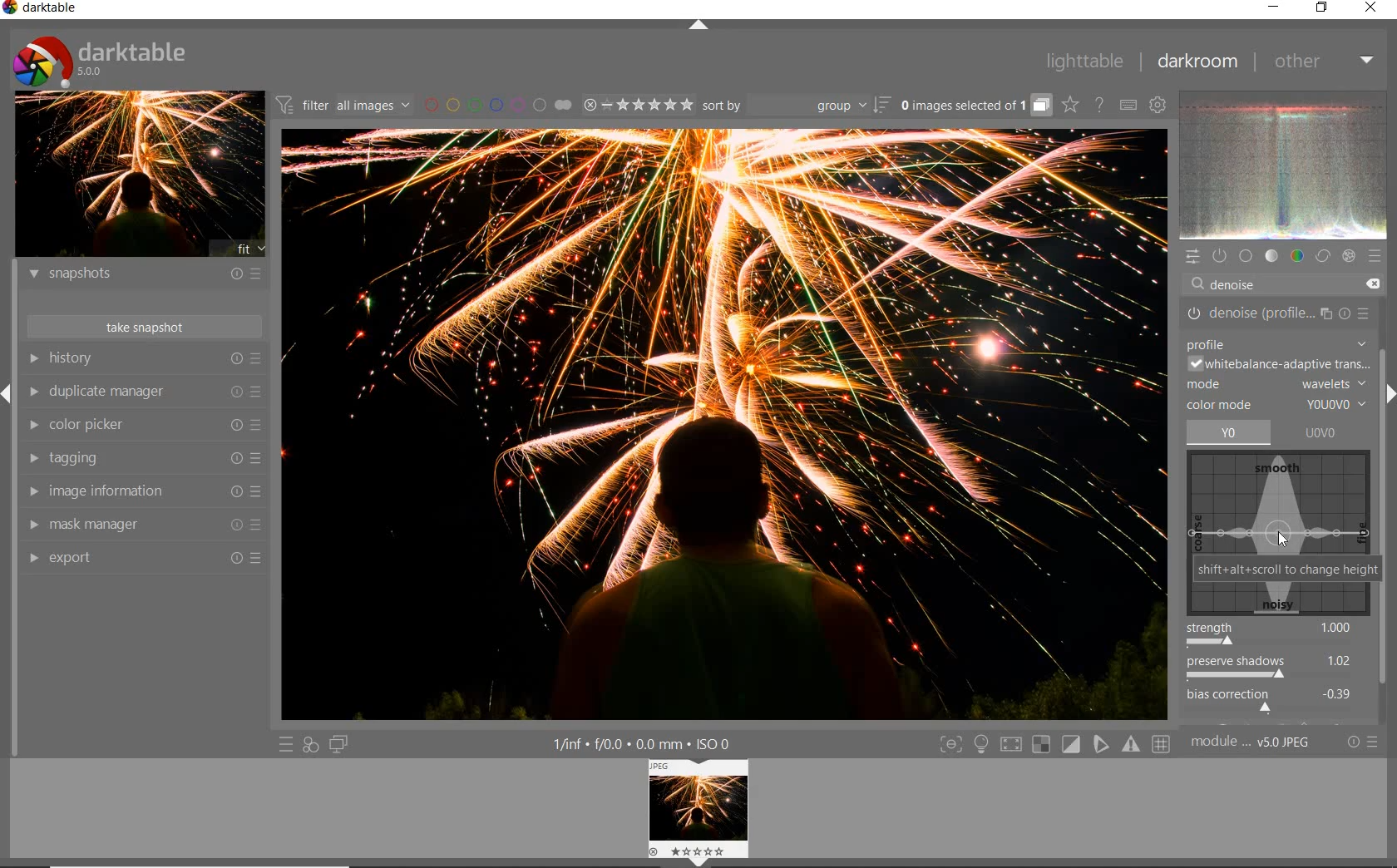  I want to click on Preview image, so click(713, 810).